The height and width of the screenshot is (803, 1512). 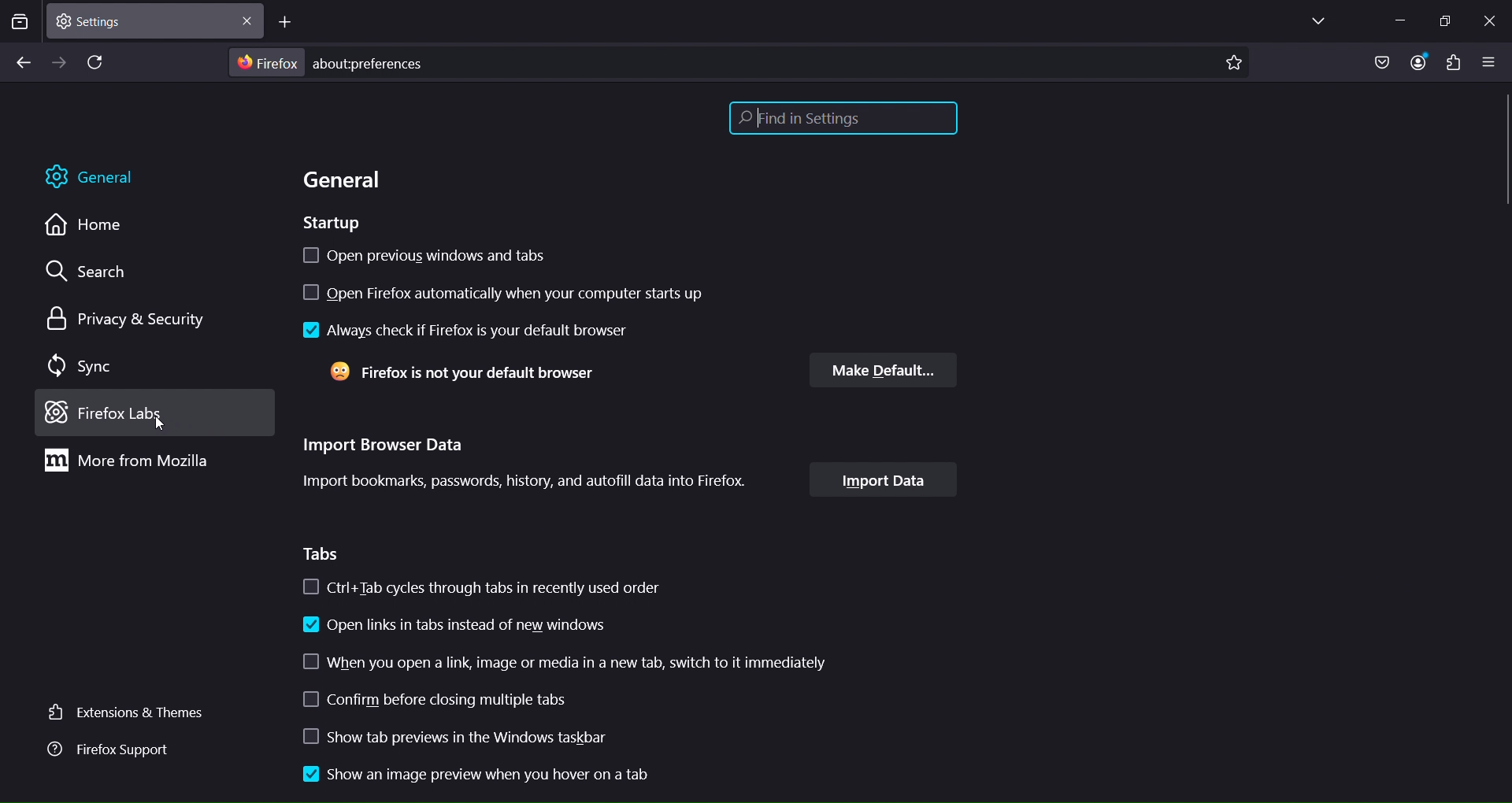 What do you see at coordinates (561, 662) in the screenshot?
I see `when u open link` at bounding box center [561, 662].